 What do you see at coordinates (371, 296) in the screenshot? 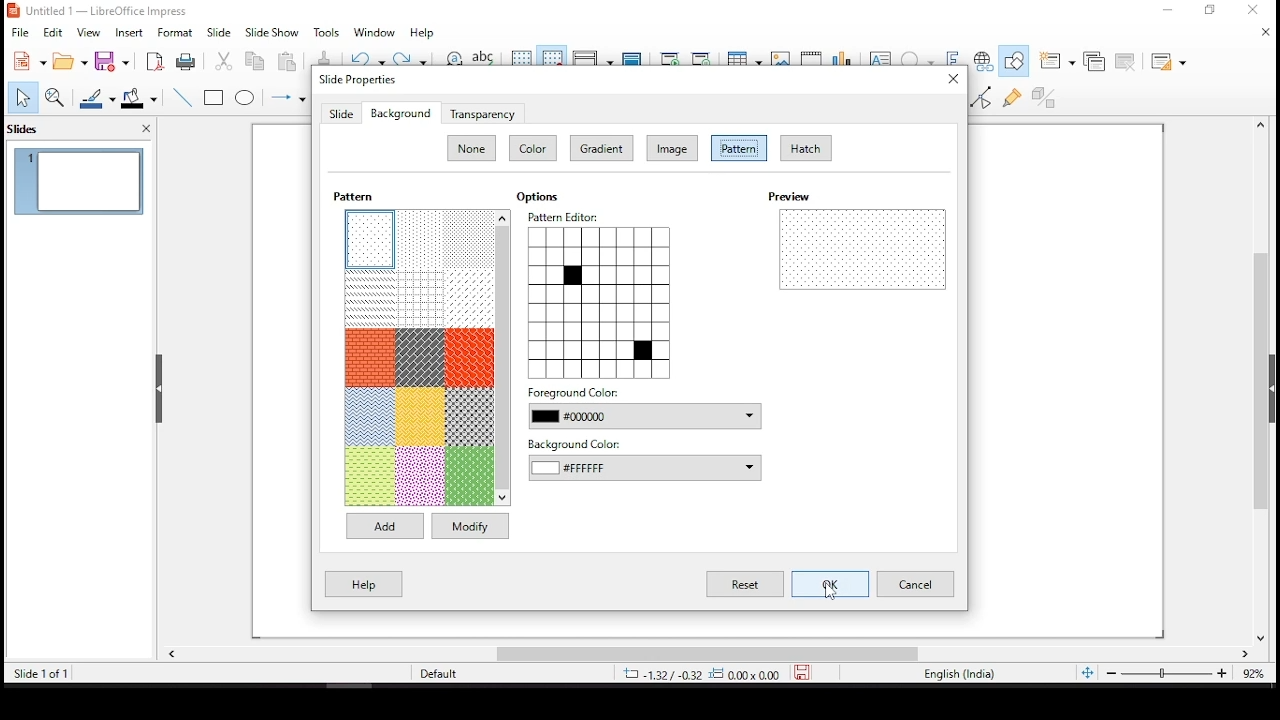
I see `pattern` at bounding box center [371, 296].